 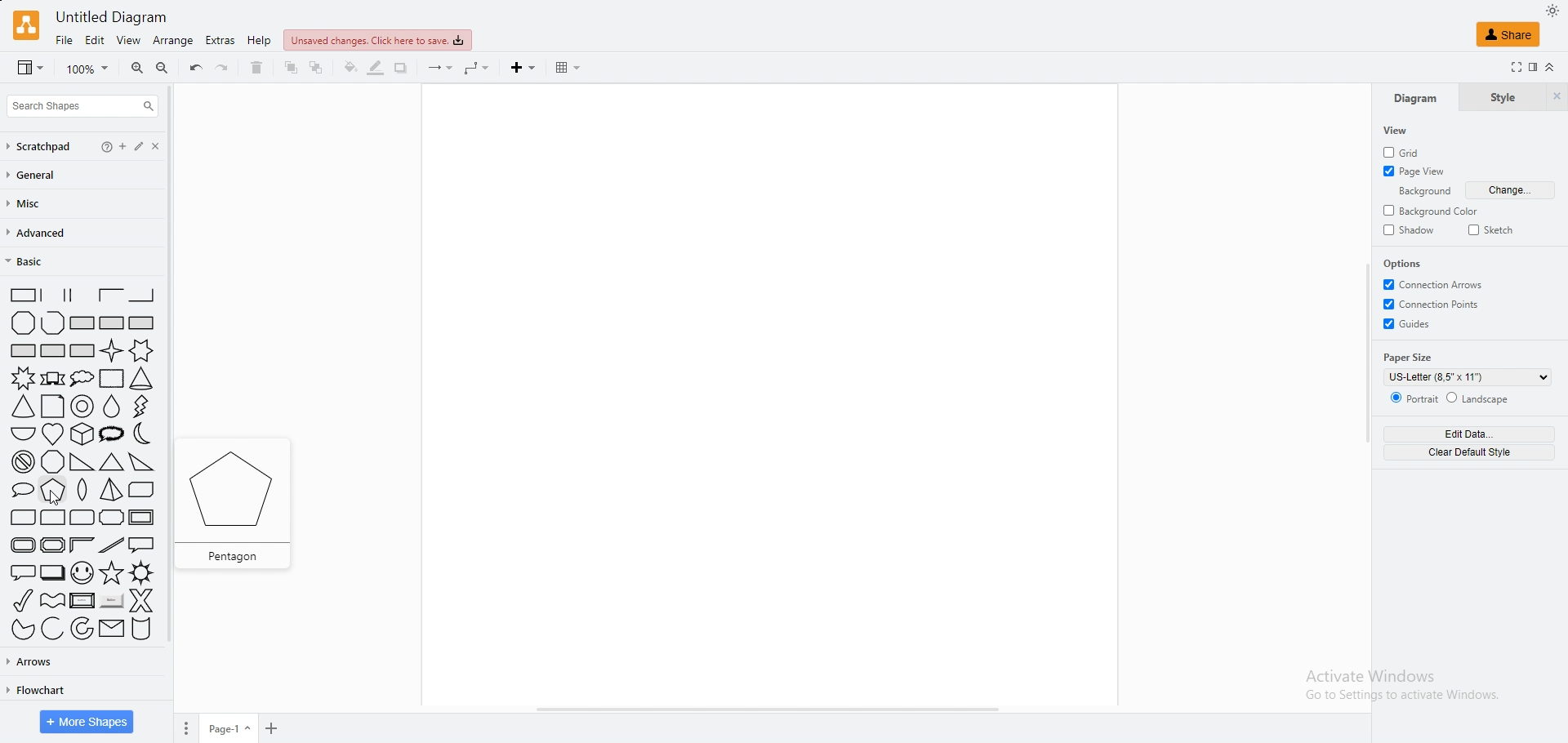 What do you see at coordinates (1467, 377) in the screenshot?
I see `paper size selection` at bounding box center [1467, 377].